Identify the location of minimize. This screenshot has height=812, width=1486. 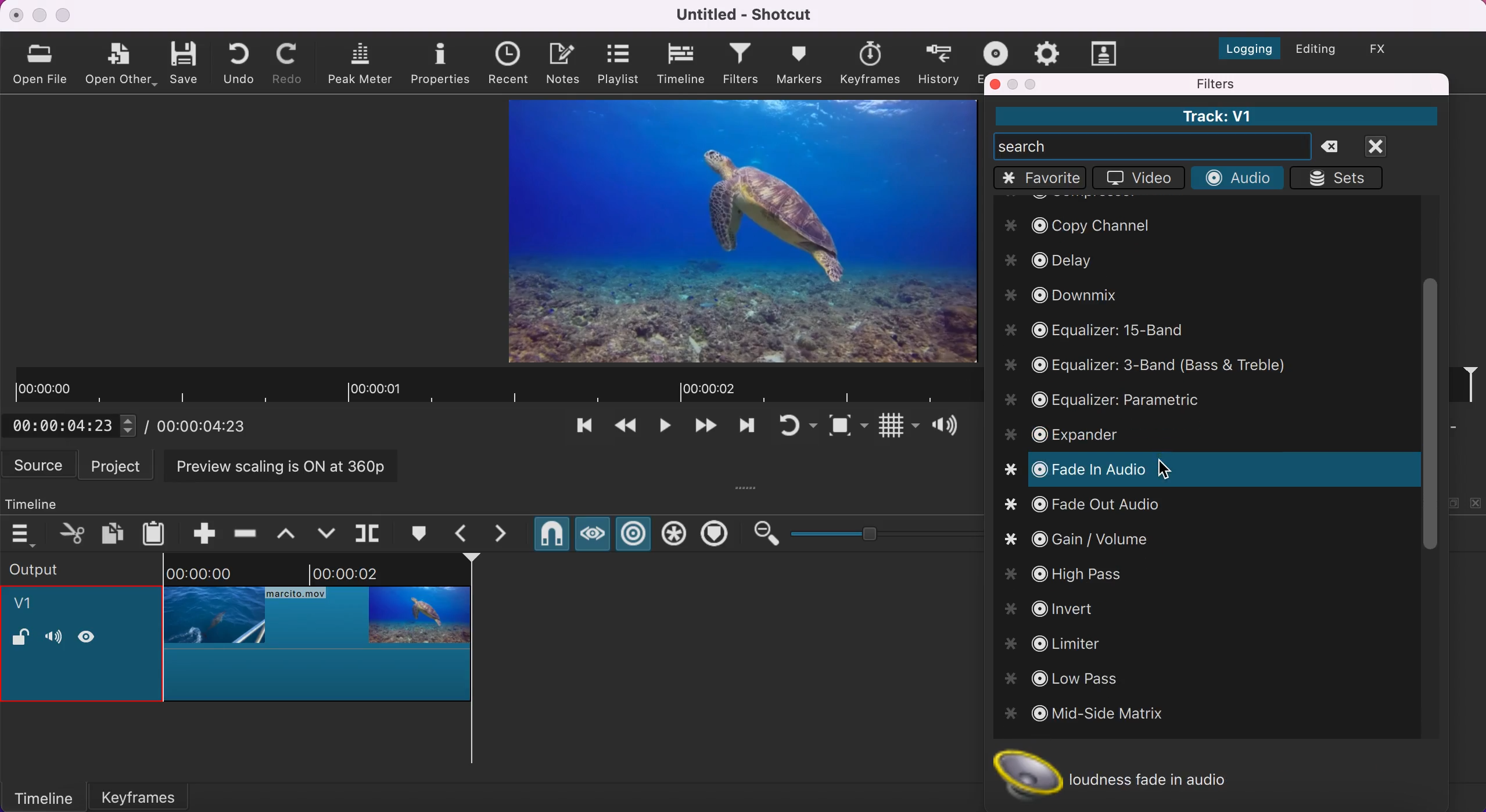
(1014, 84).